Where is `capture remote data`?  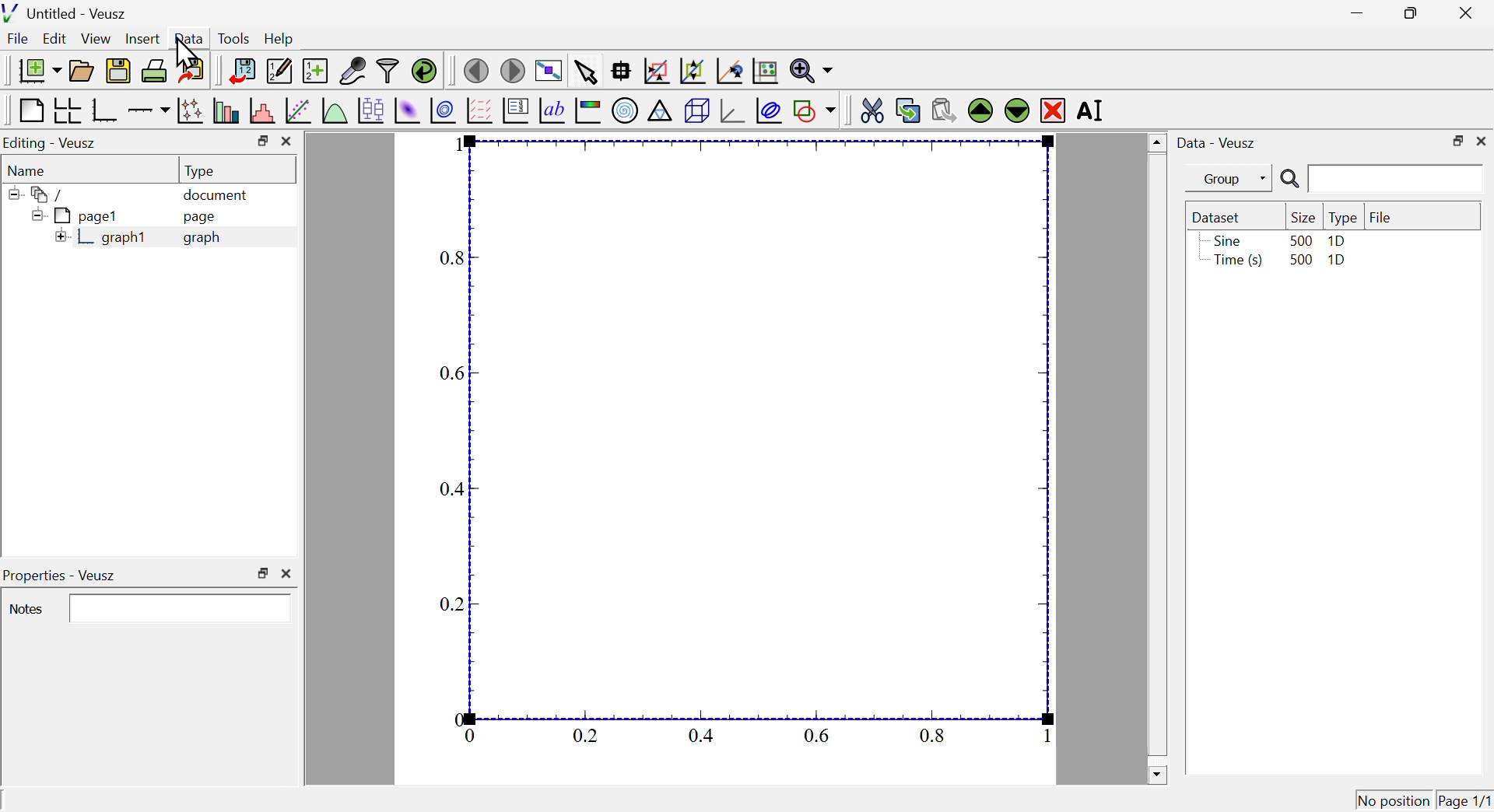 capture remote data is located at coordinates (352, 71).